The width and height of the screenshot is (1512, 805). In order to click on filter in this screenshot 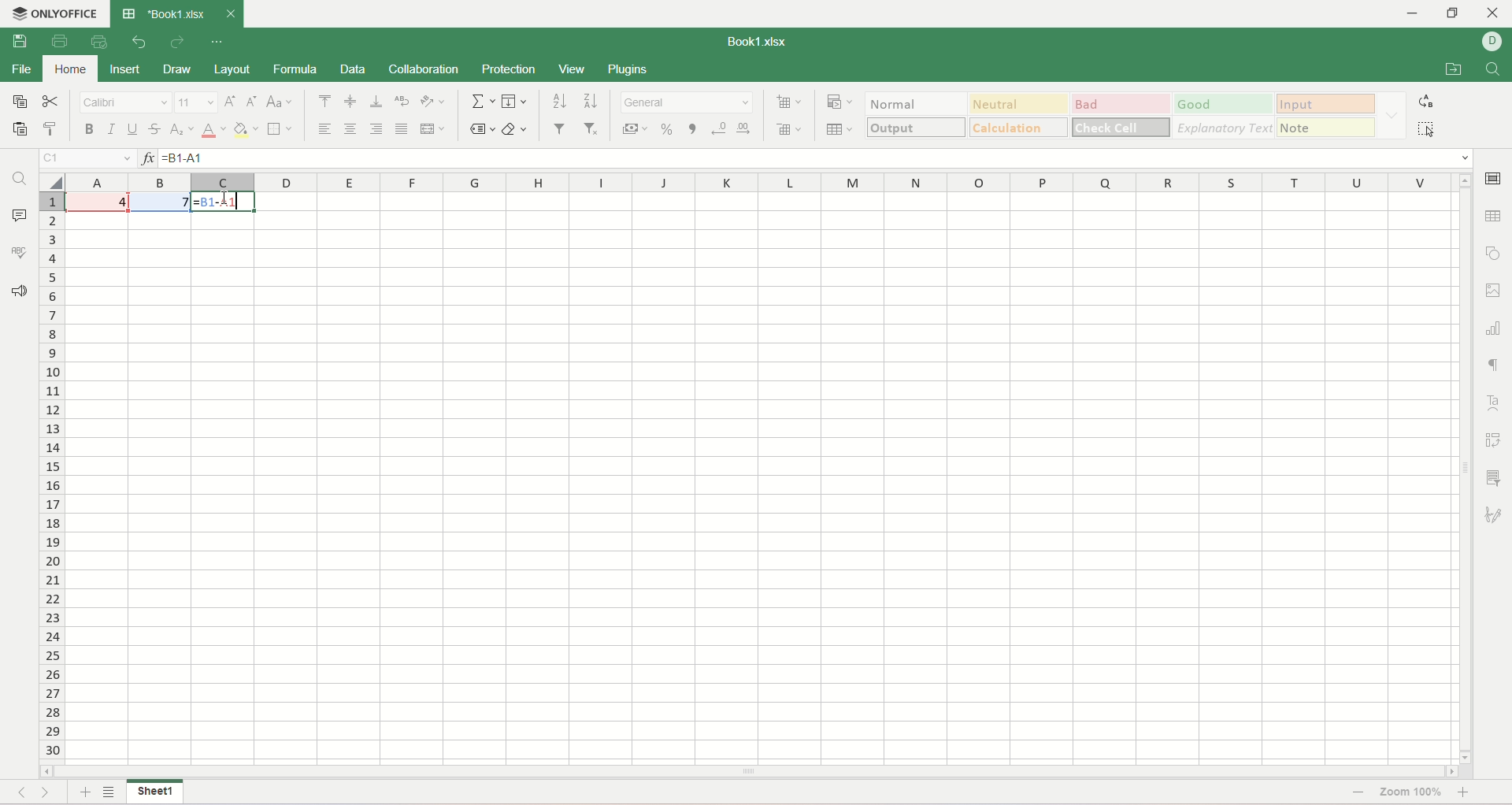, I will do `click(560, 129)`.